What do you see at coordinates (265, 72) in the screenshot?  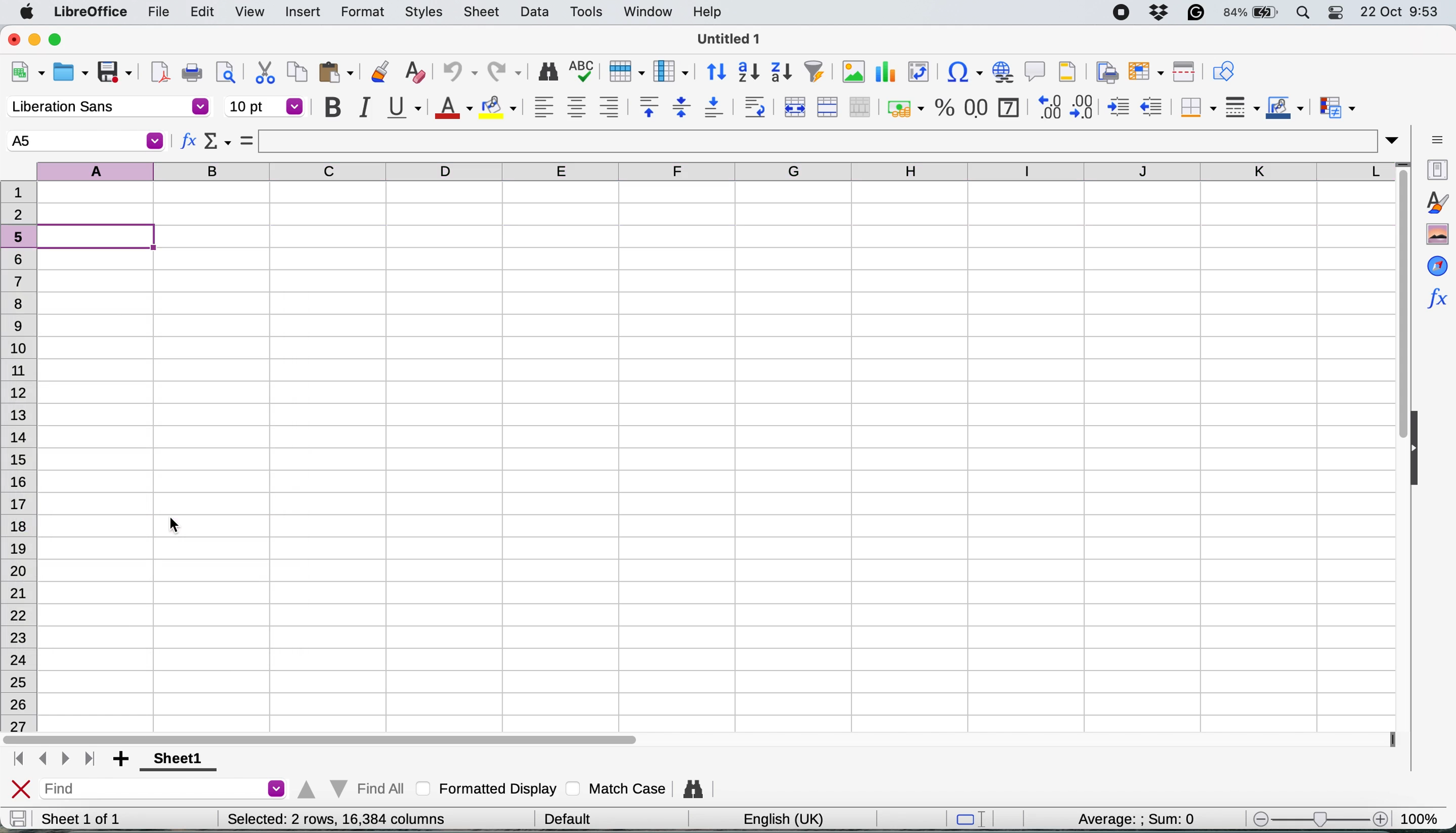 I see `cut` at bounding box center [265, 72].